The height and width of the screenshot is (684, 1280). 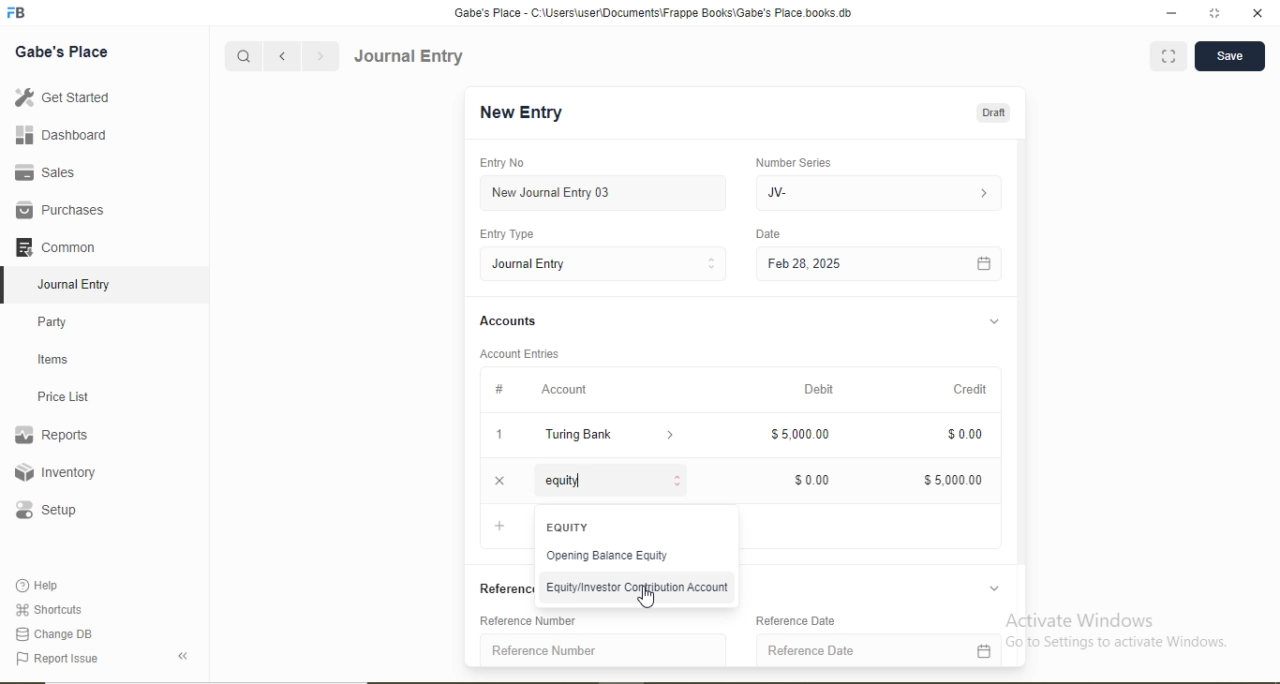 I want to click on Price List, so click(x=62, y=397).